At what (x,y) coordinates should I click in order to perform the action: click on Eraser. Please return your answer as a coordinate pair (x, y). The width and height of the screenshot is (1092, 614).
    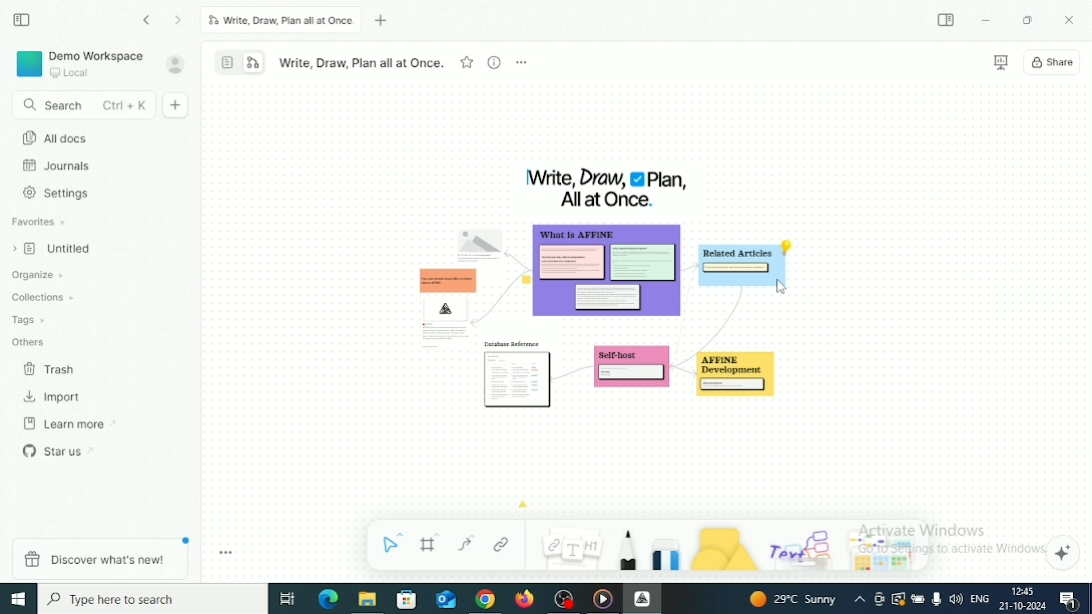
    Looking at the image, I should click on (666, 551).